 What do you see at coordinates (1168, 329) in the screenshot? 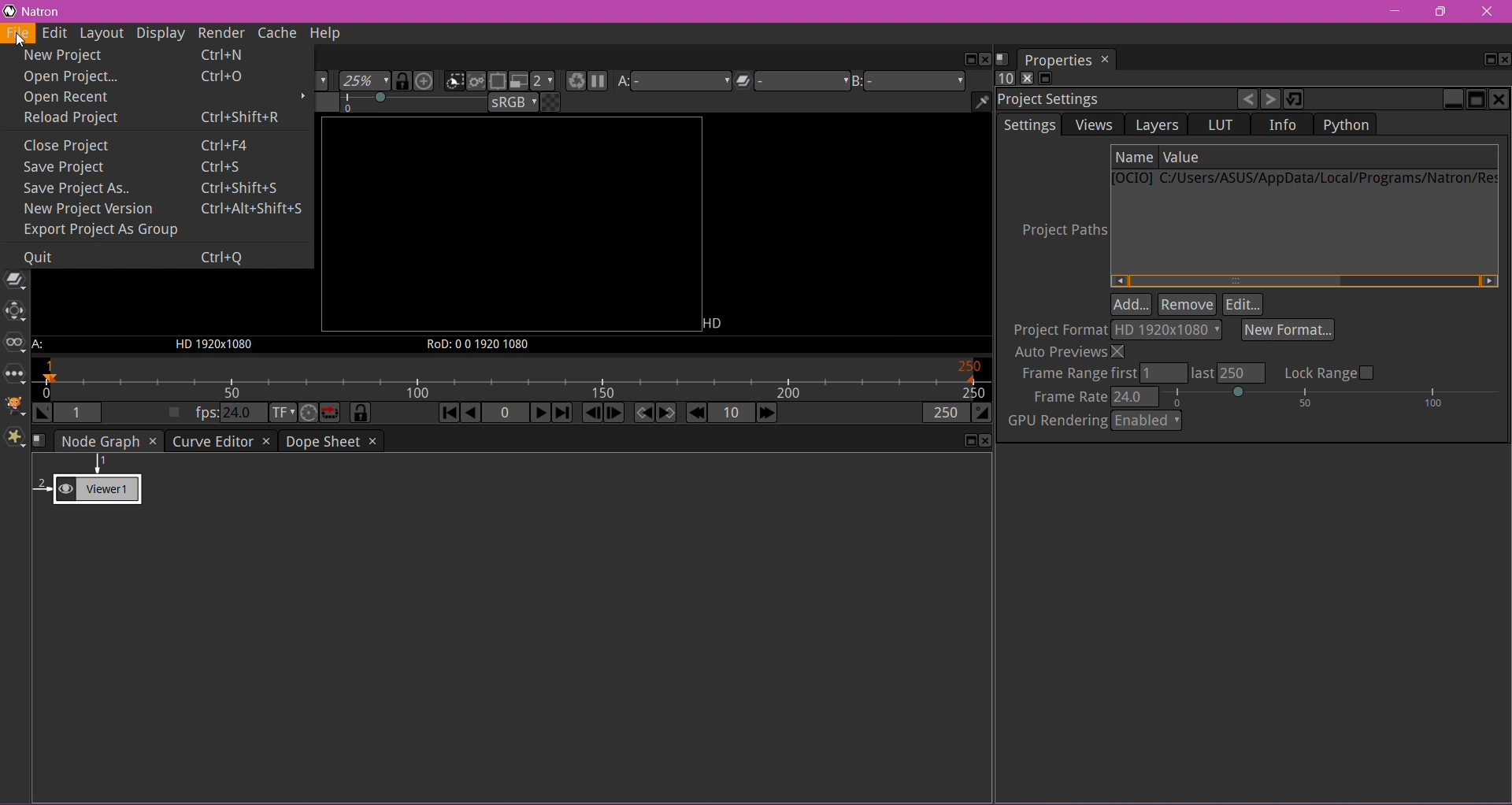
I see `Output format` at bounding box center [1168, 329].